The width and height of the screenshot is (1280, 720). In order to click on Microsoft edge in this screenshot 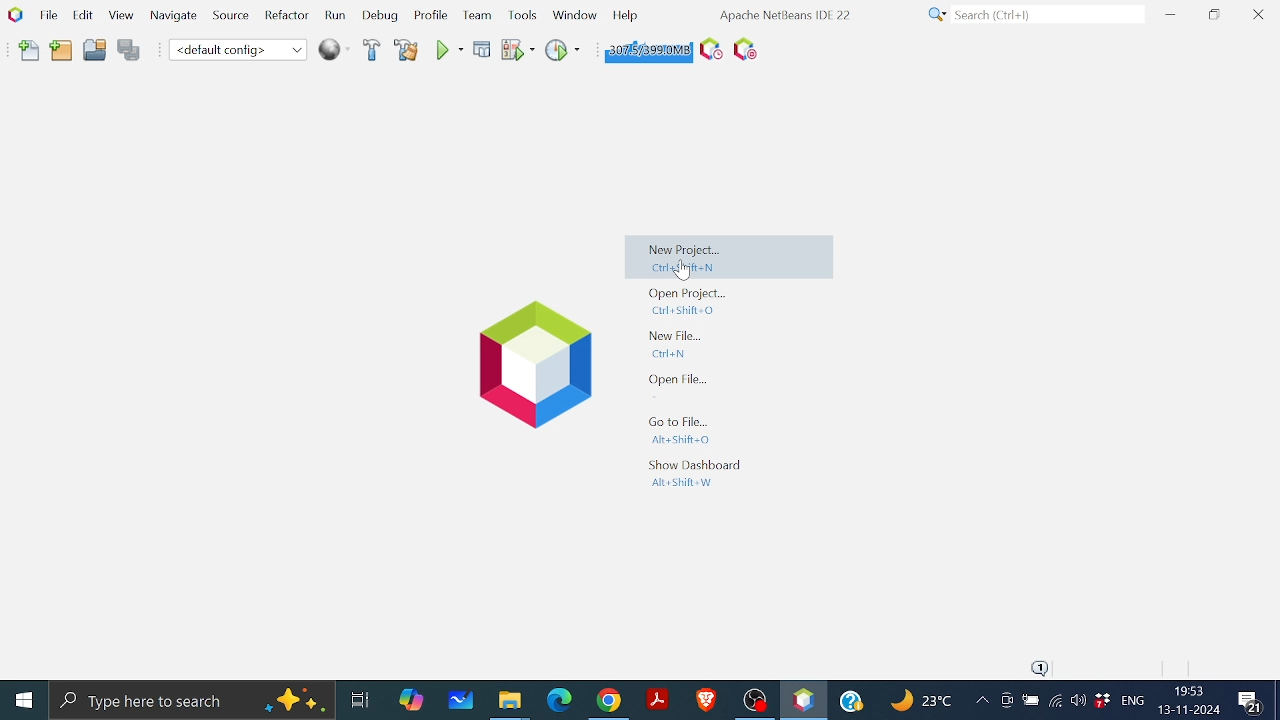, I will do `click(557, 700)`.